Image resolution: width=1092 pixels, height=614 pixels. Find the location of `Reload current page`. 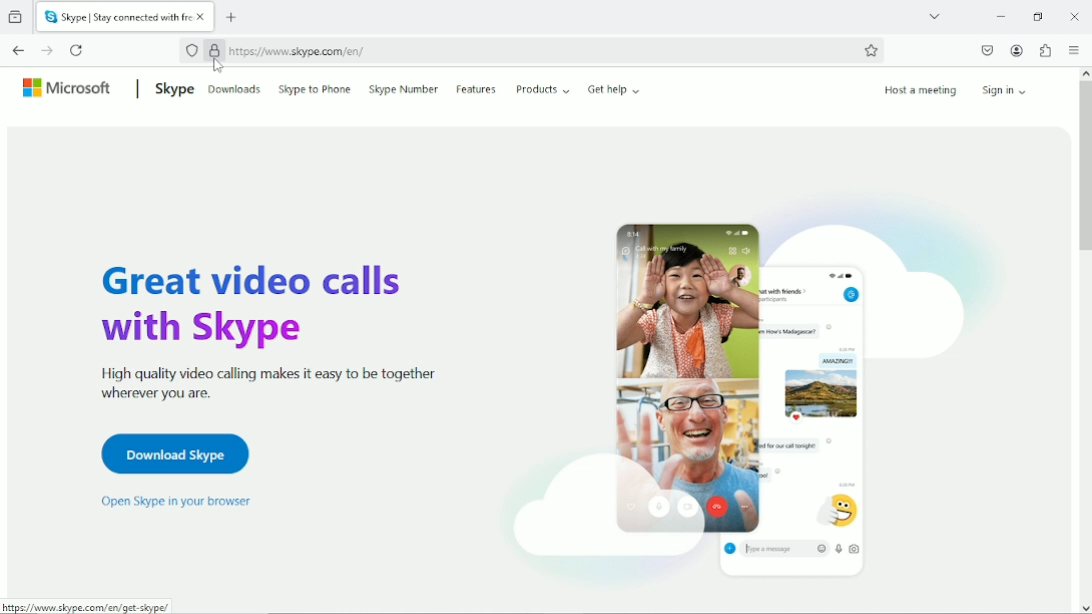

Reload current page is located at coordinates (77, 49).